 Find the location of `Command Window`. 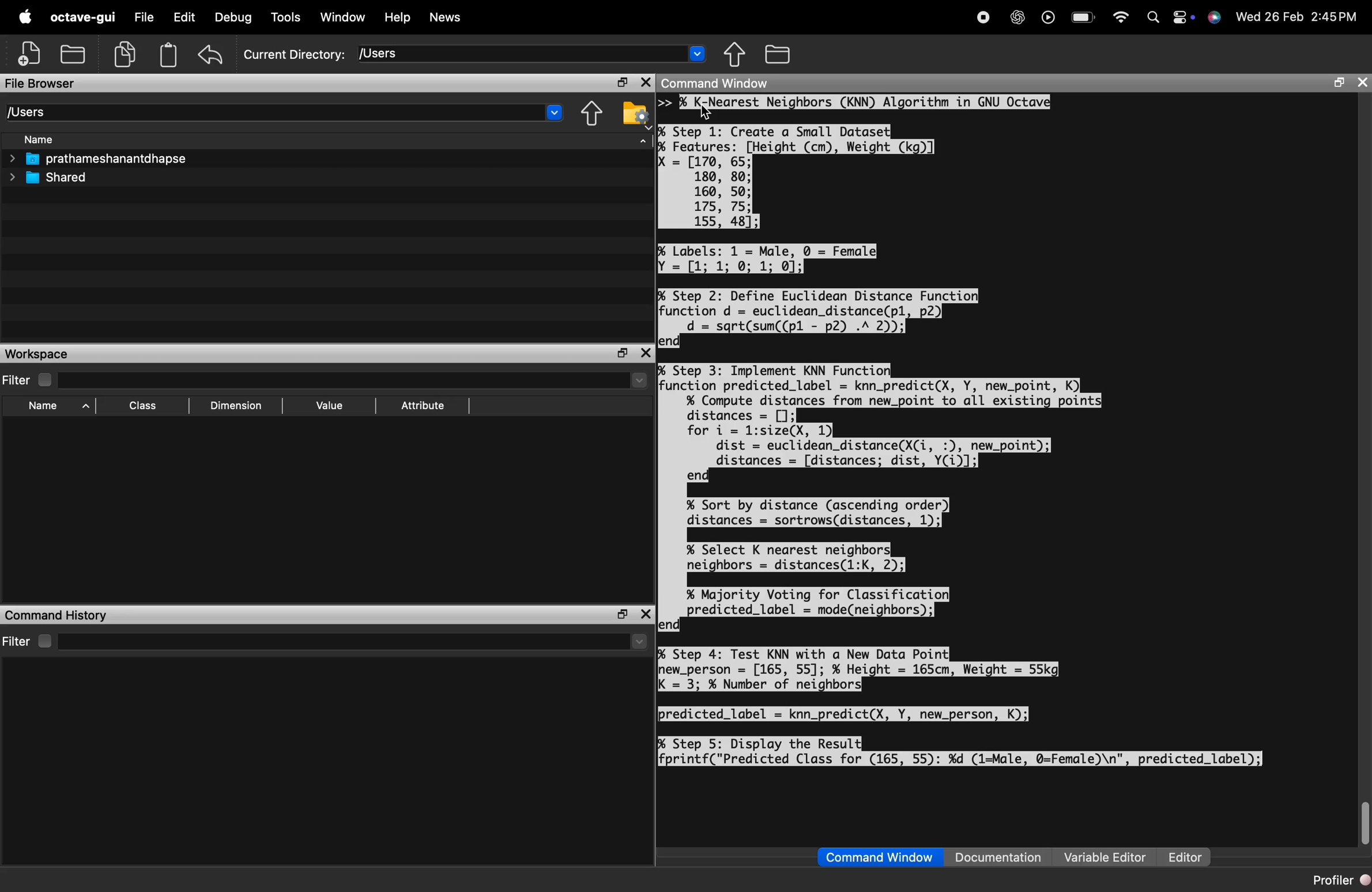

Command Window is located at coordinates (865, 855).